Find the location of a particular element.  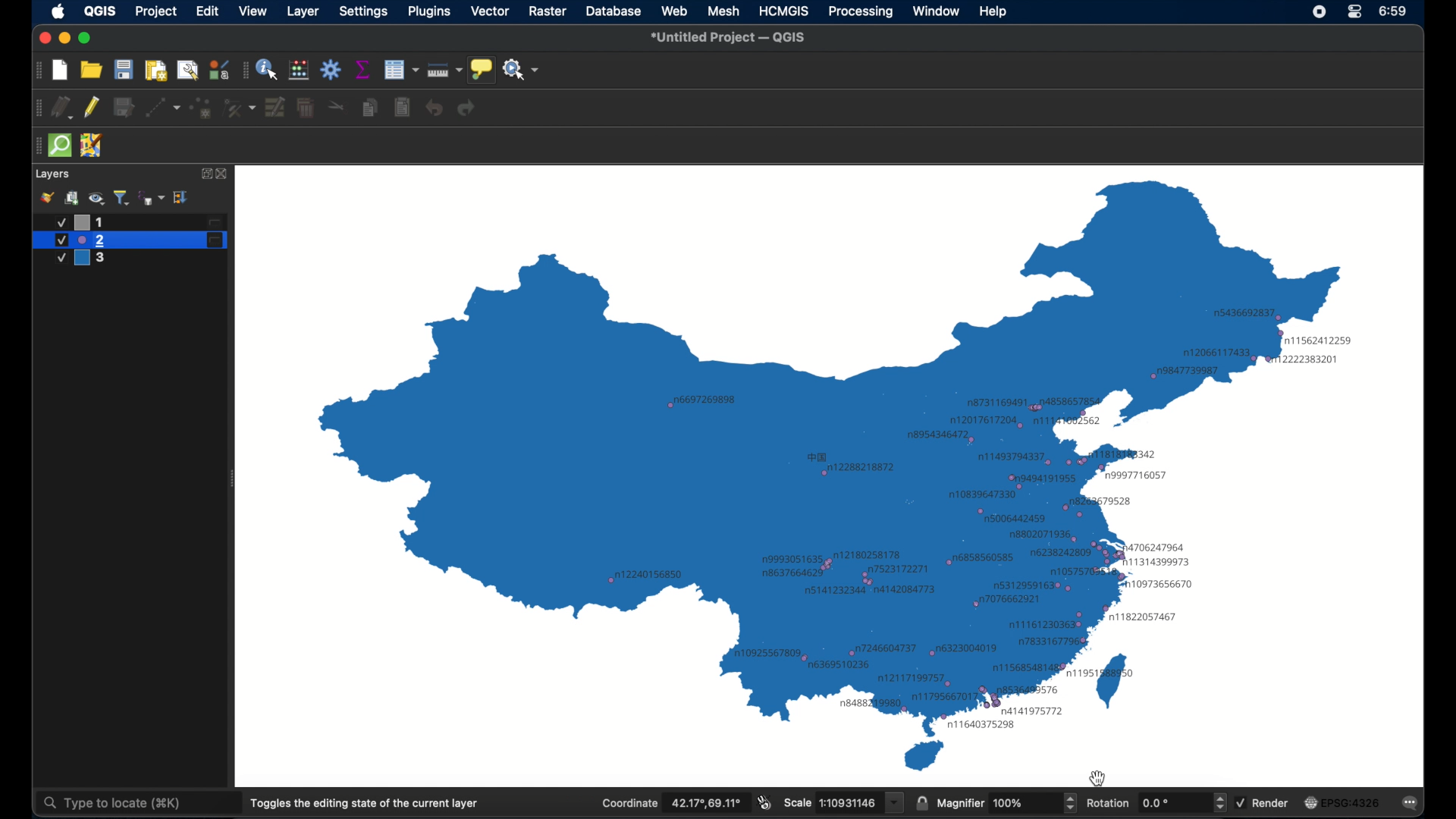

drag handle is located at coordinates (36, 108).